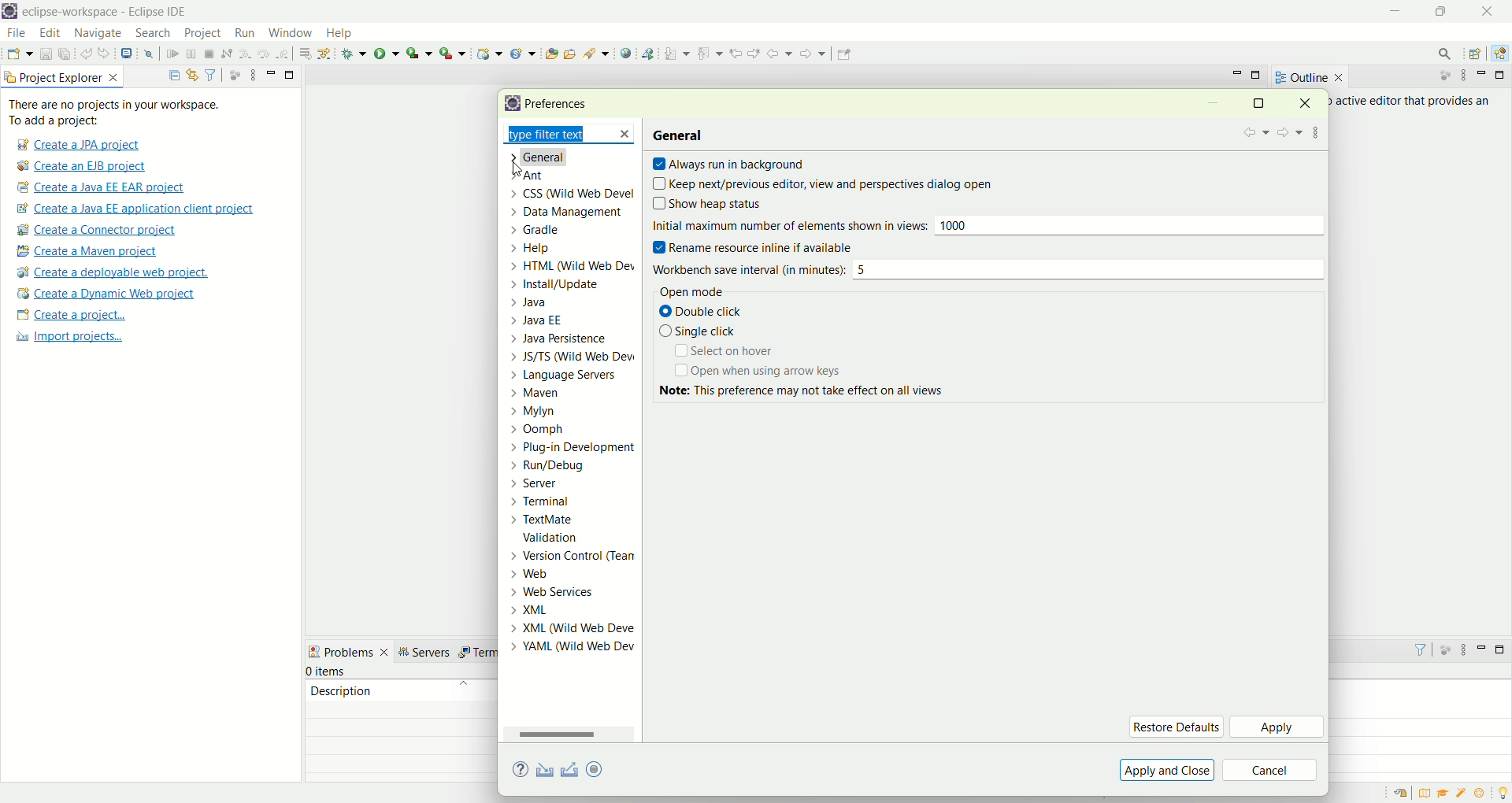 The height and width of the screenshot is (803, 1512). I want to click on validation, so click(575, 538).